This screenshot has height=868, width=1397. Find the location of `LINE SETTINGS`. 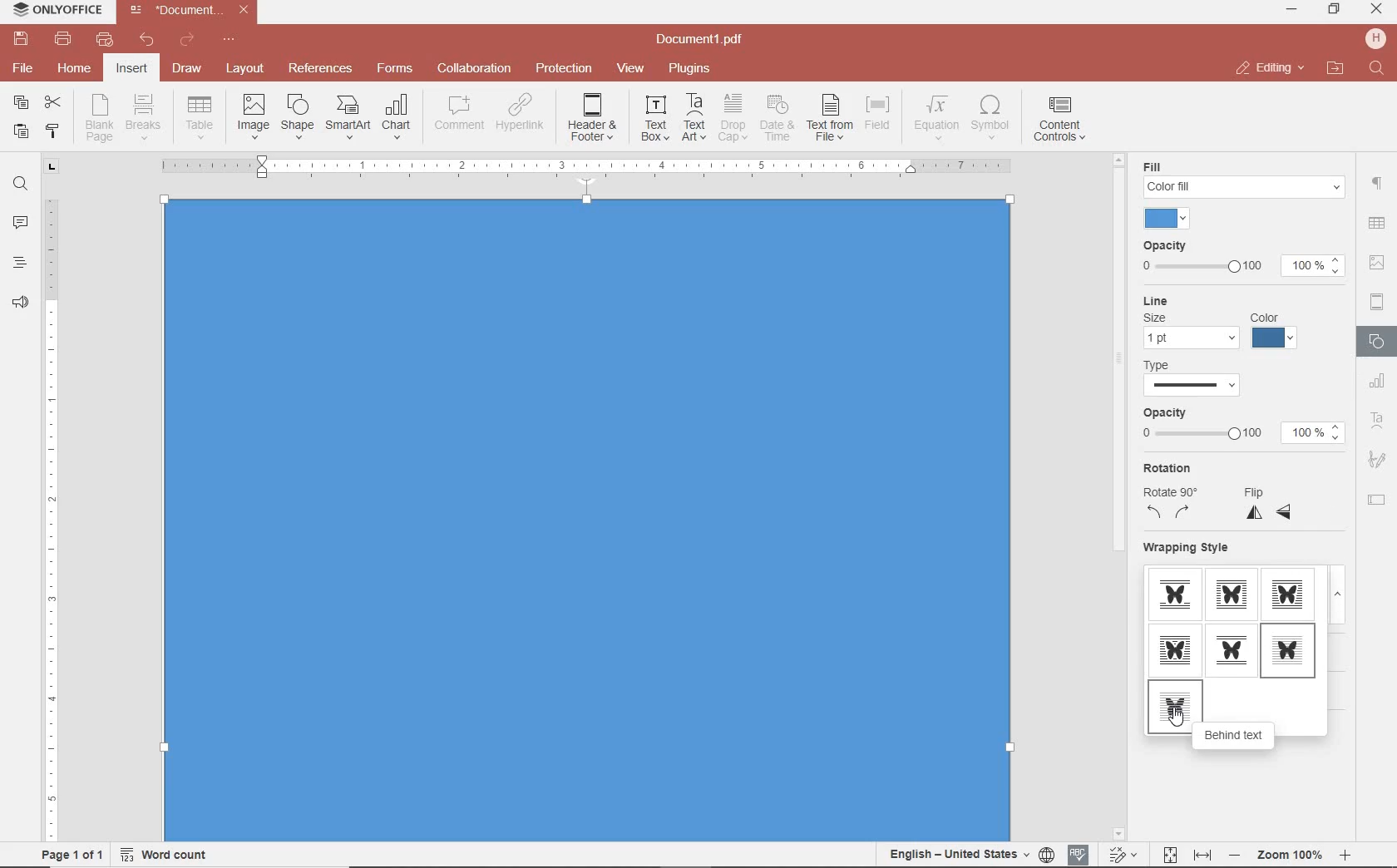

LINE SETTINGS is located at coordinates (1223, 322).